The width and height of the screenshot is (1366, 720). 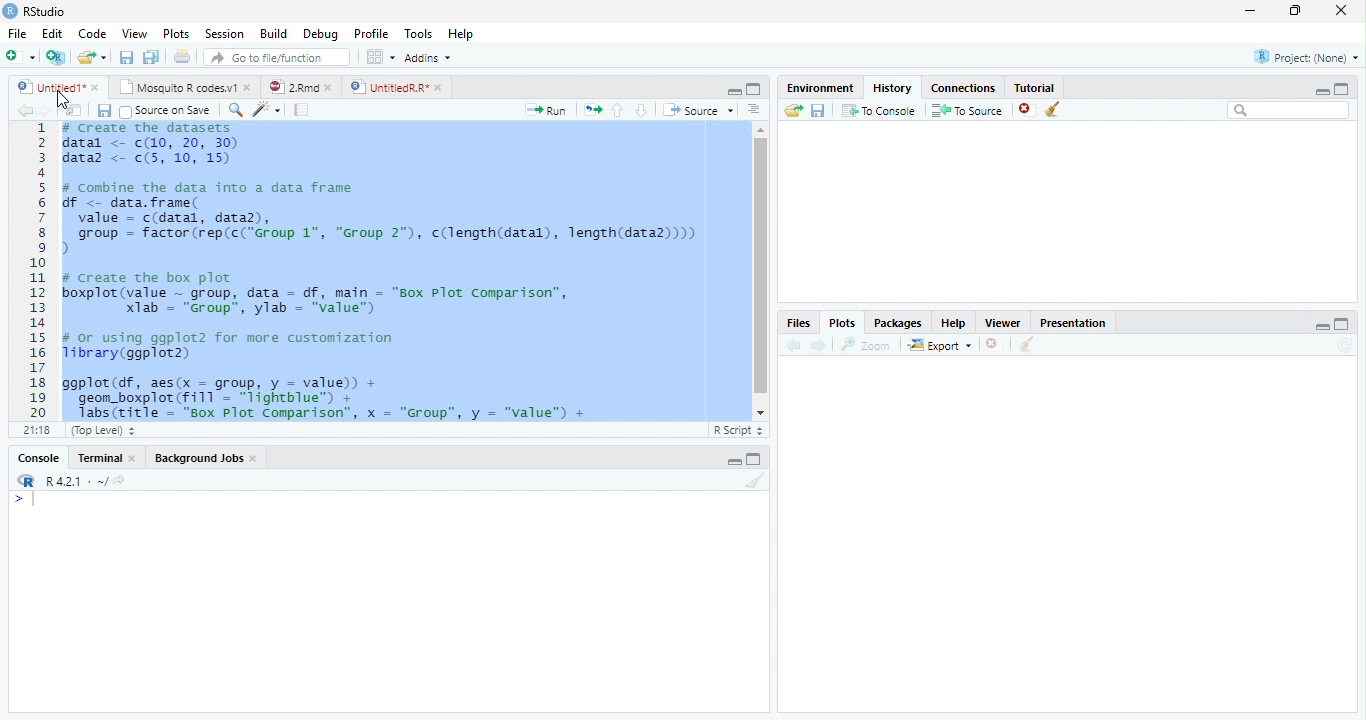 What do you see at coordinates (940, 345) in the screenshot?
I see `Export` at bounding box center [940, 345].